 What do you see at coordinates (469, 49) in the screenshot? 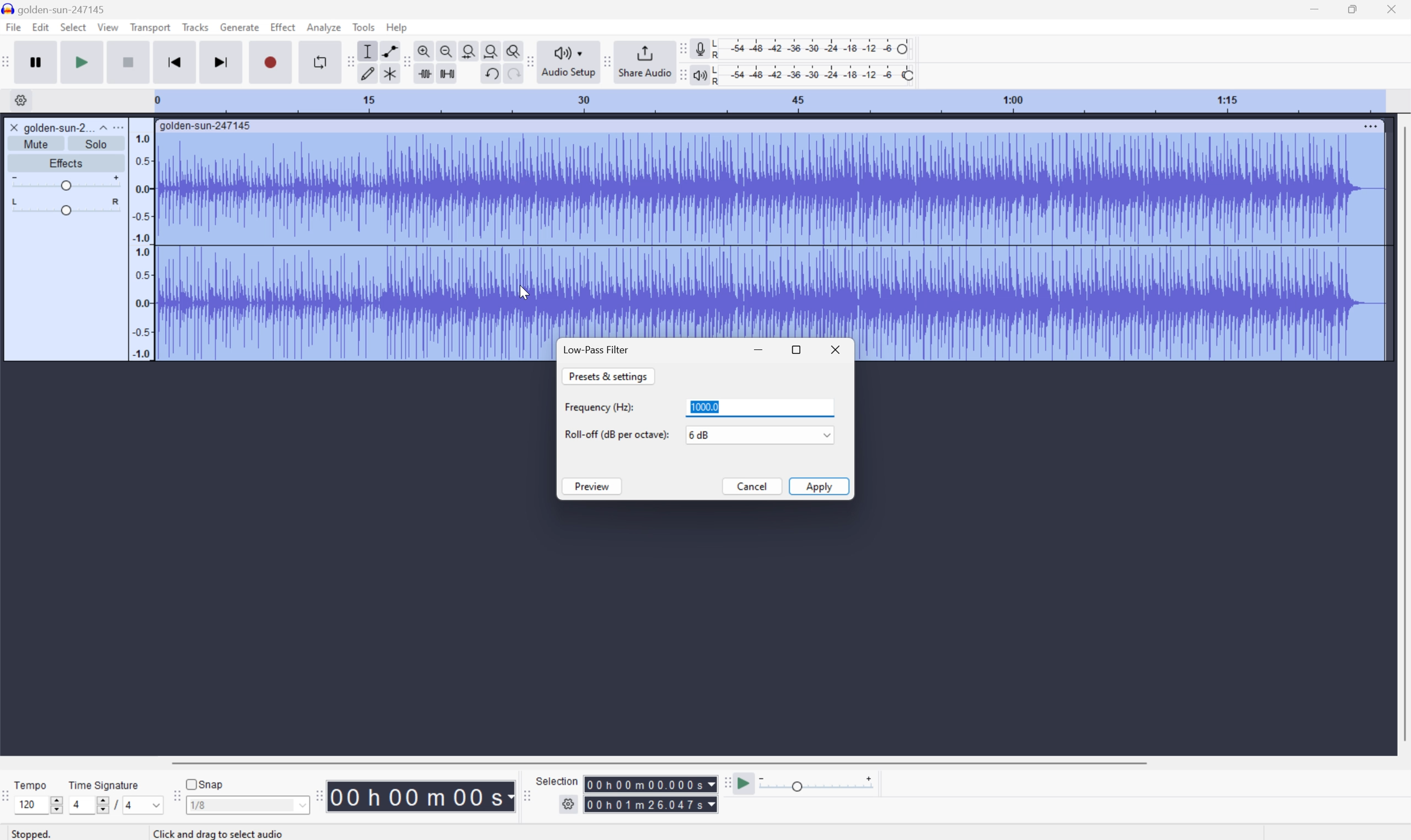
I see `Fit selection to width` at bounding box center [469, 49].